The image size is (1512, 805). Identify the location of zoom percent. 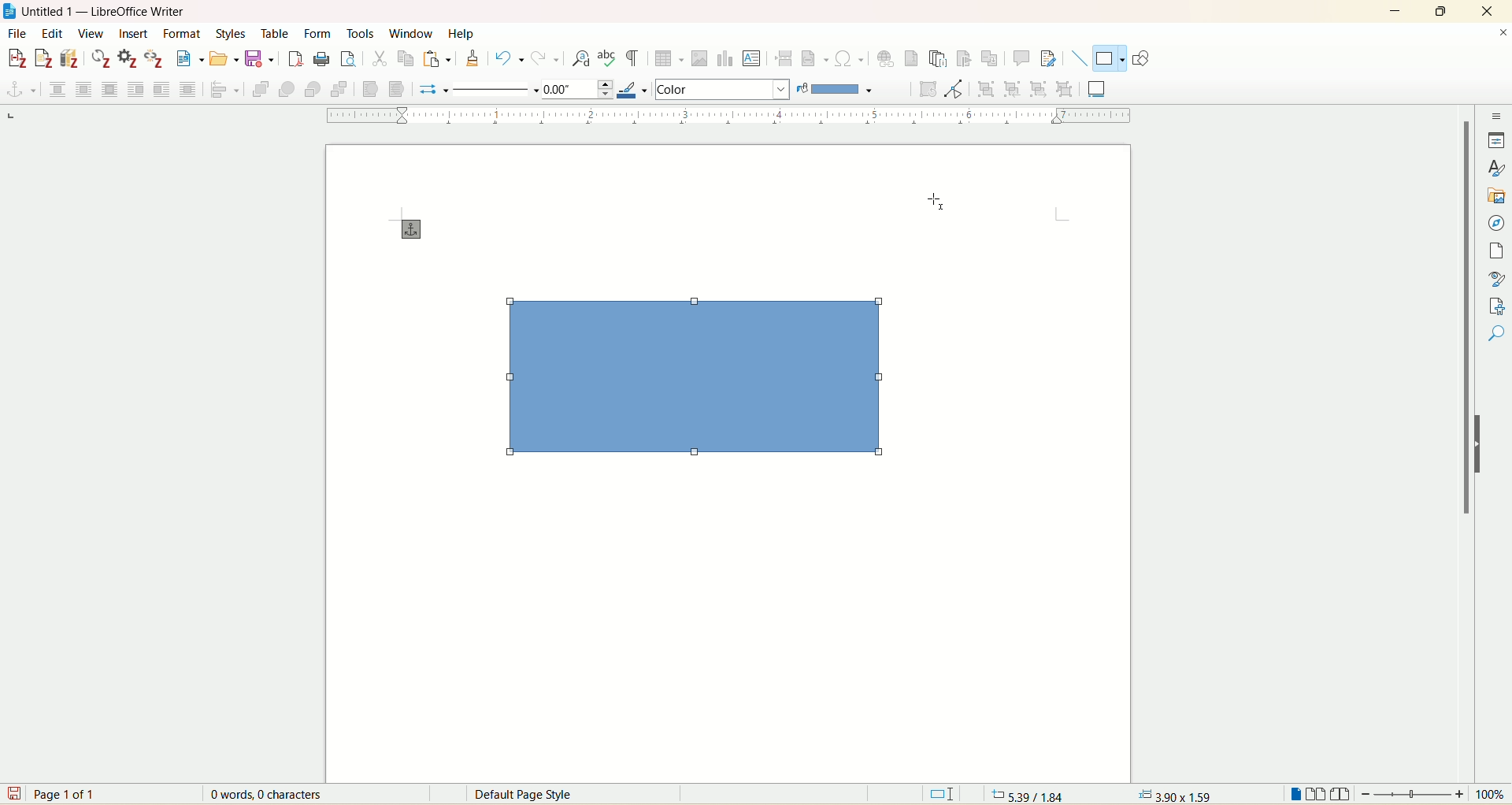
(1492, 794).